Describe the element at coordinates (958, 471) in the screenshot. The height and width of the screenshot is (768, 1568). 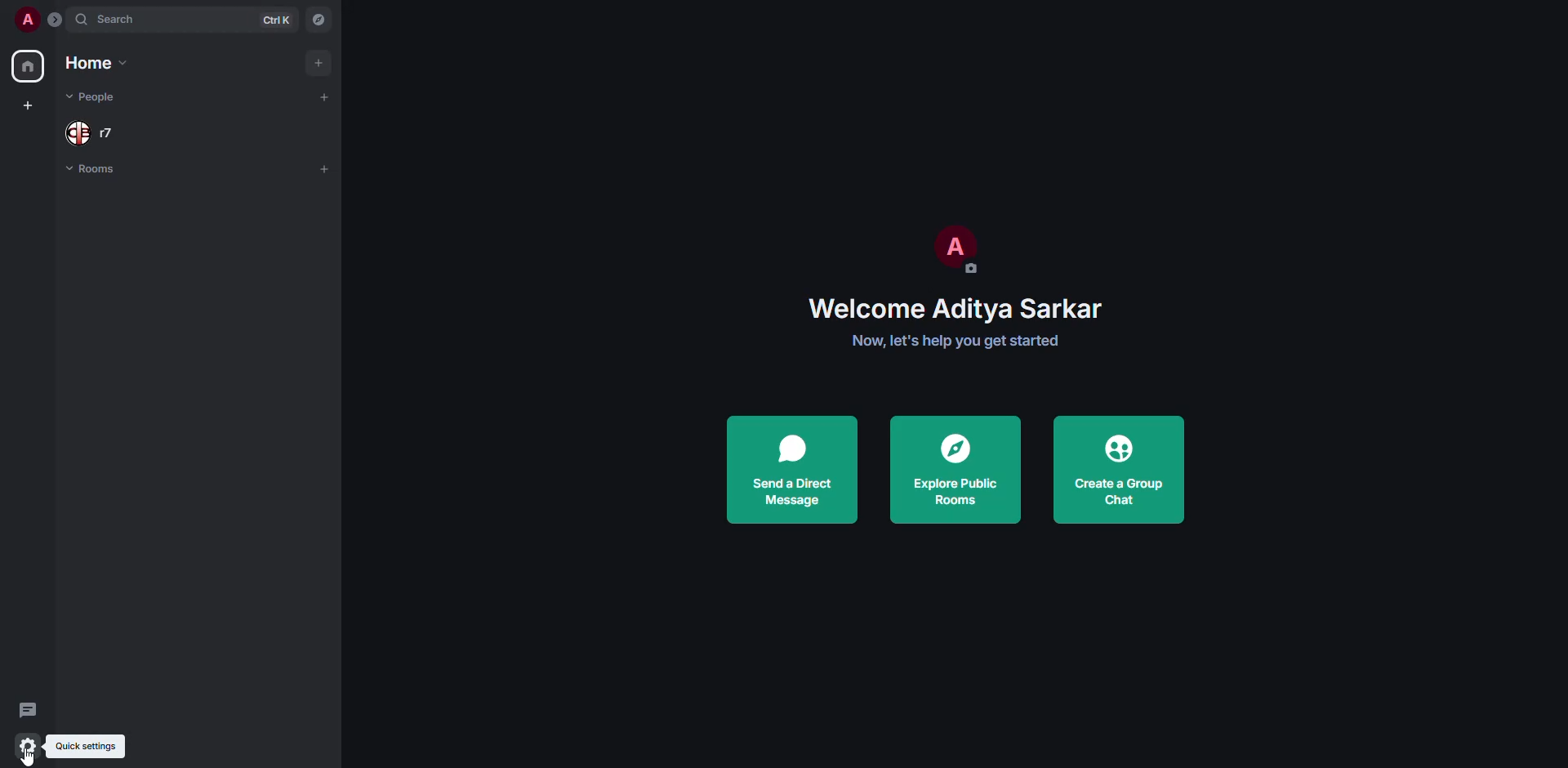
I see `explore public rooms` at that location.